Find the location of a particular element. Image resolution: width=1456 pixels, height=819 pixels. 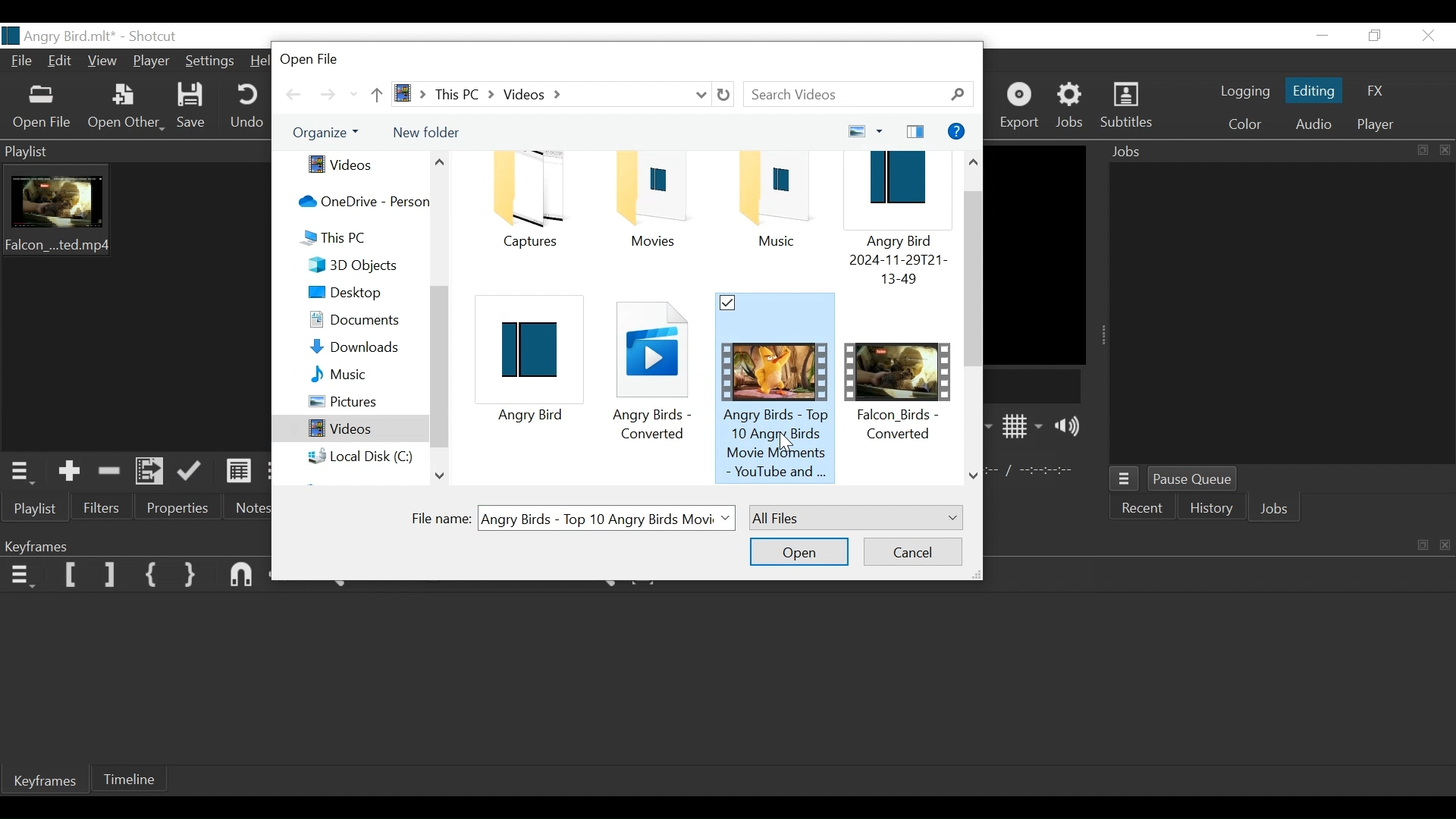

Open is located at coordinates (800, 552).